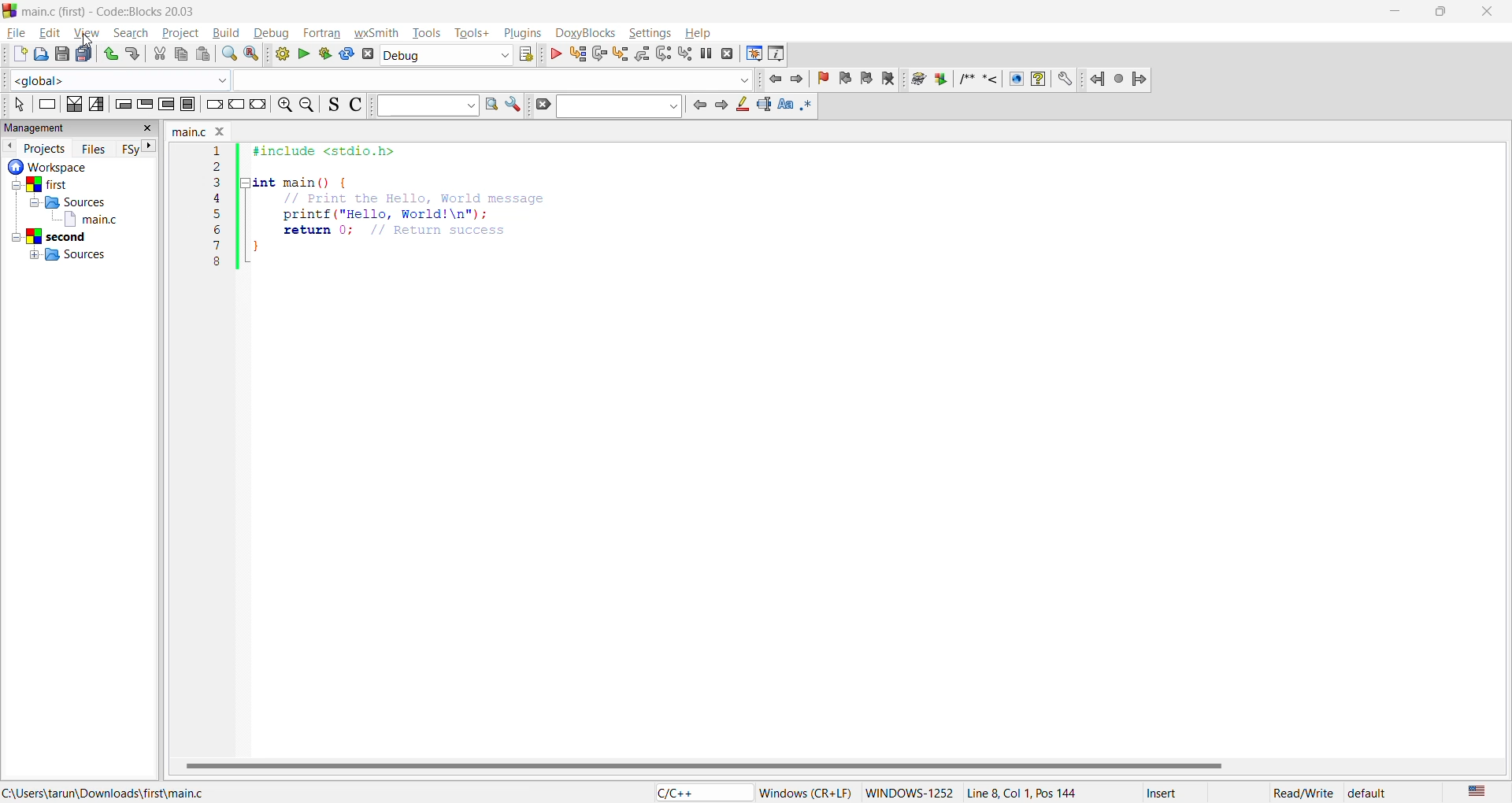 The height and width of the screenshot is (803, 1512). Describe the element at coordinates (226, 33) in the screenshot. I see `build` at that location.